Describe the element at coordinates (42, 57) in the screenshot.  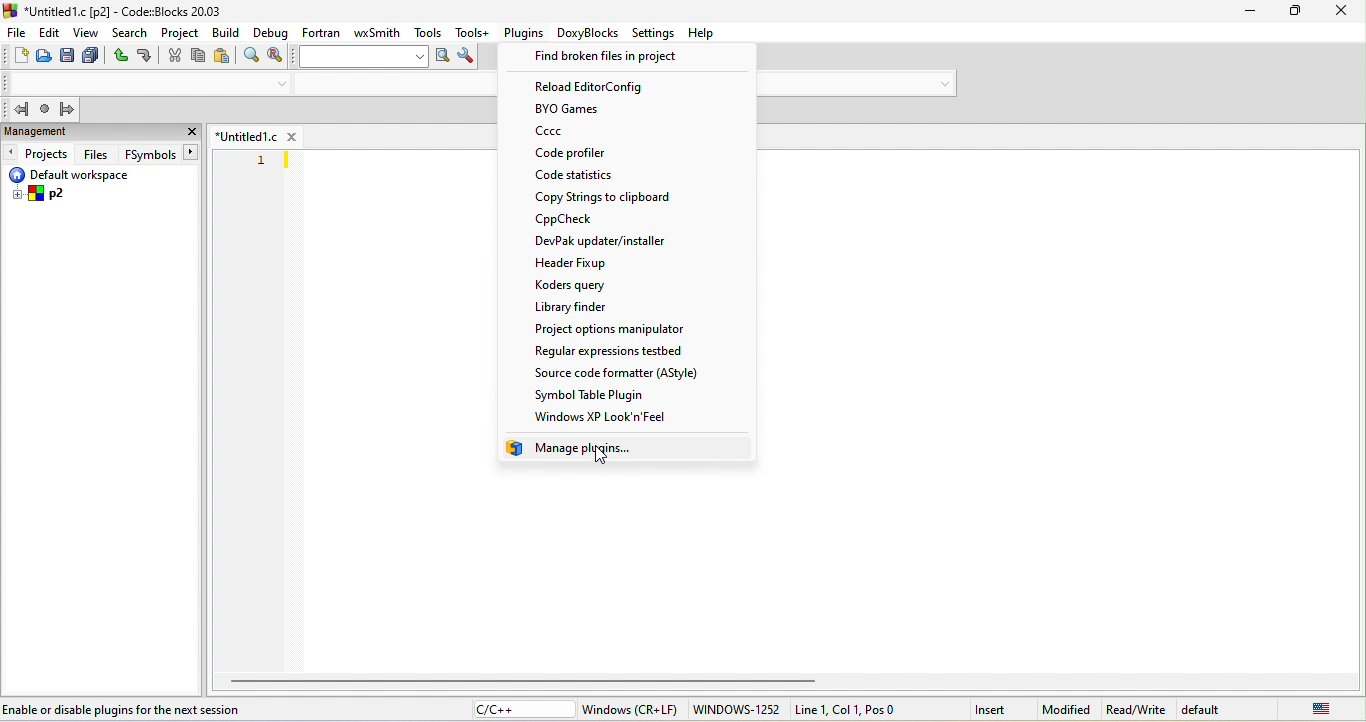
I see `open` at that location.